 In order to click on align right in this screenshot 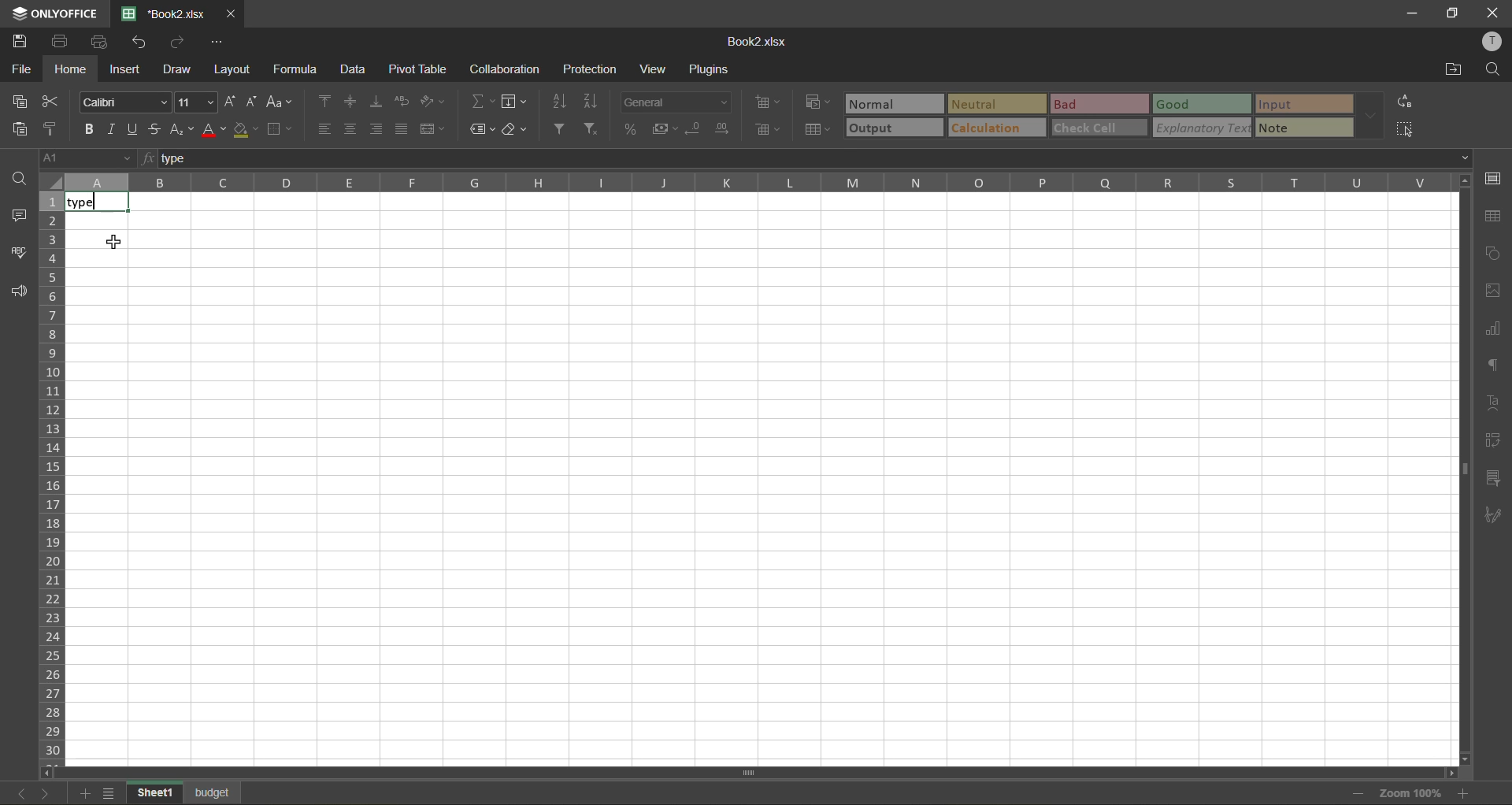, I will do `click(378, 127)`.